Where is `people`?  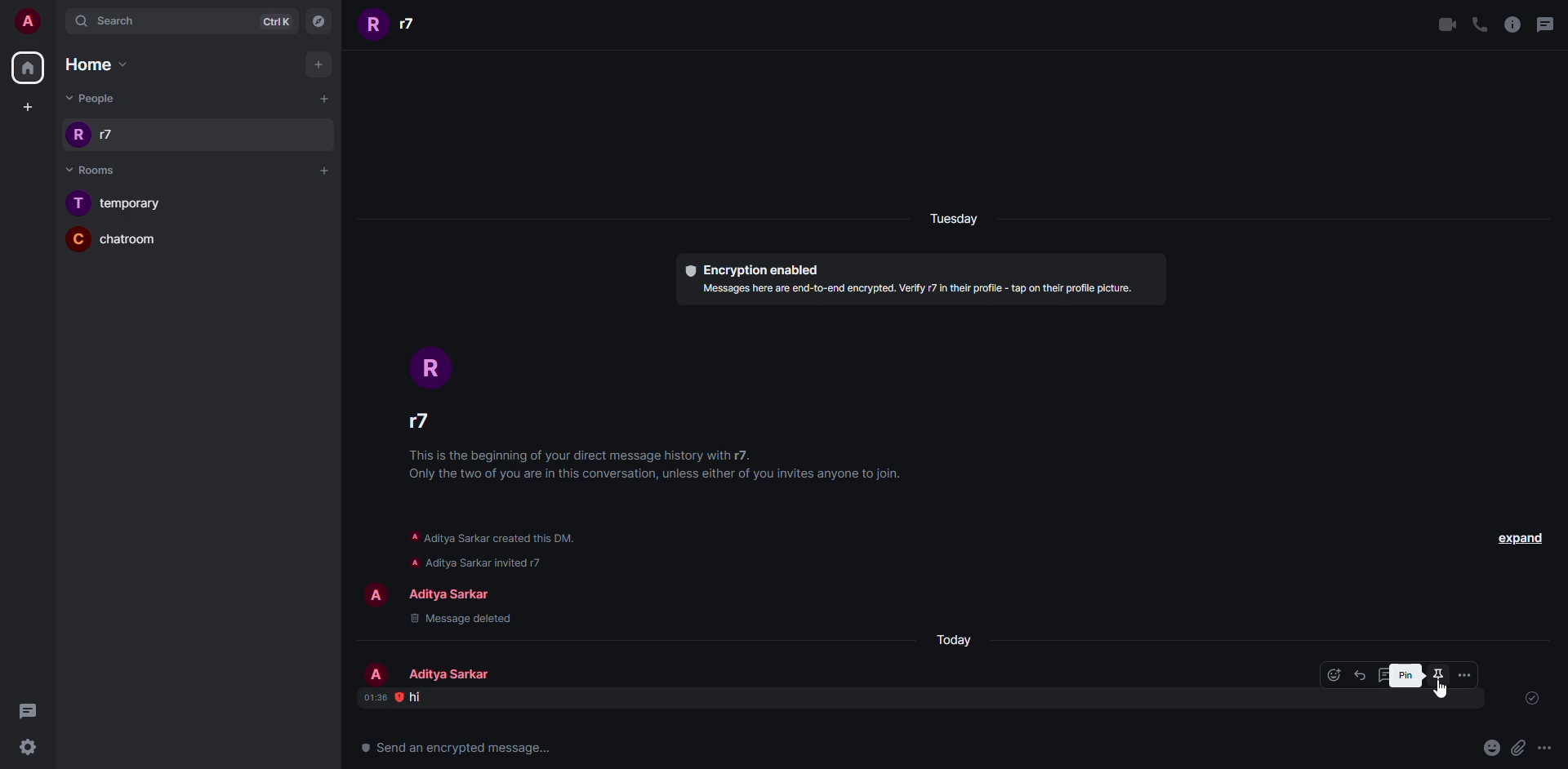 people is located at coordinates (448, 593).